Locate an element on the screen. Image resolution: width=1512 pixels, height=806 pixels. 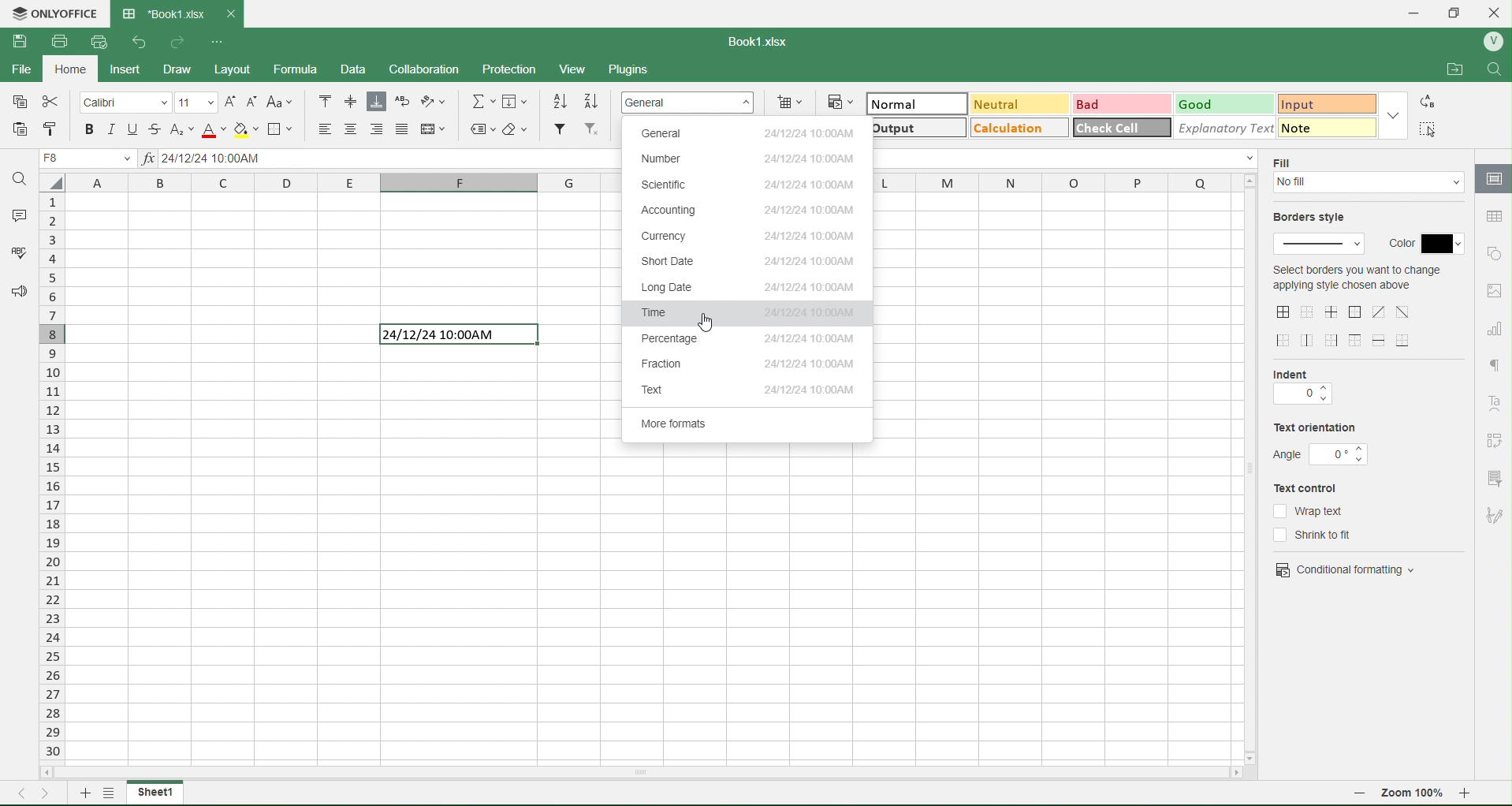
Summation is located at coordinates (484, 101).